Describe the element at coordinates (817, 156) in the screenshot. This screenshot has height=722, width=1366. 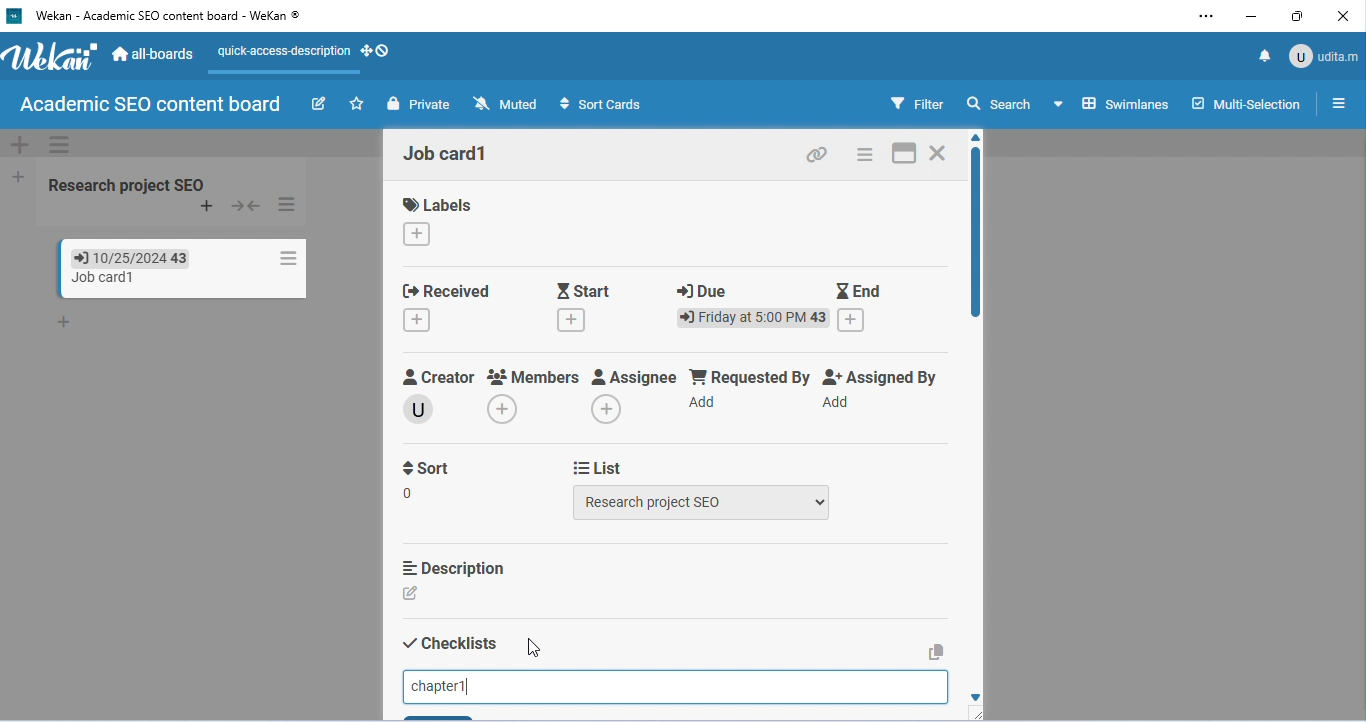
I see `copy card link` at that location.